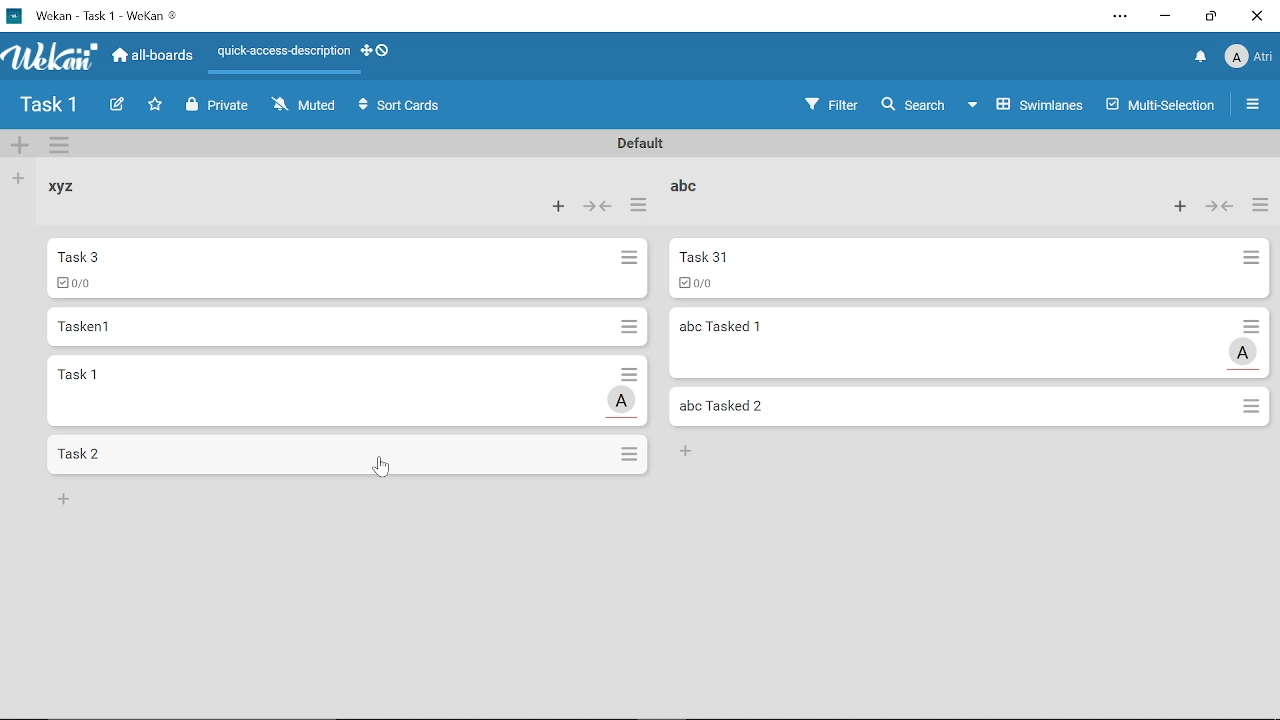 Image resolution: width=1280 pixels, height=720 pixels. What do you see at coordinates (600, 208) in the screenshot?
I see `Collpase` at bounding box center [600, 208].